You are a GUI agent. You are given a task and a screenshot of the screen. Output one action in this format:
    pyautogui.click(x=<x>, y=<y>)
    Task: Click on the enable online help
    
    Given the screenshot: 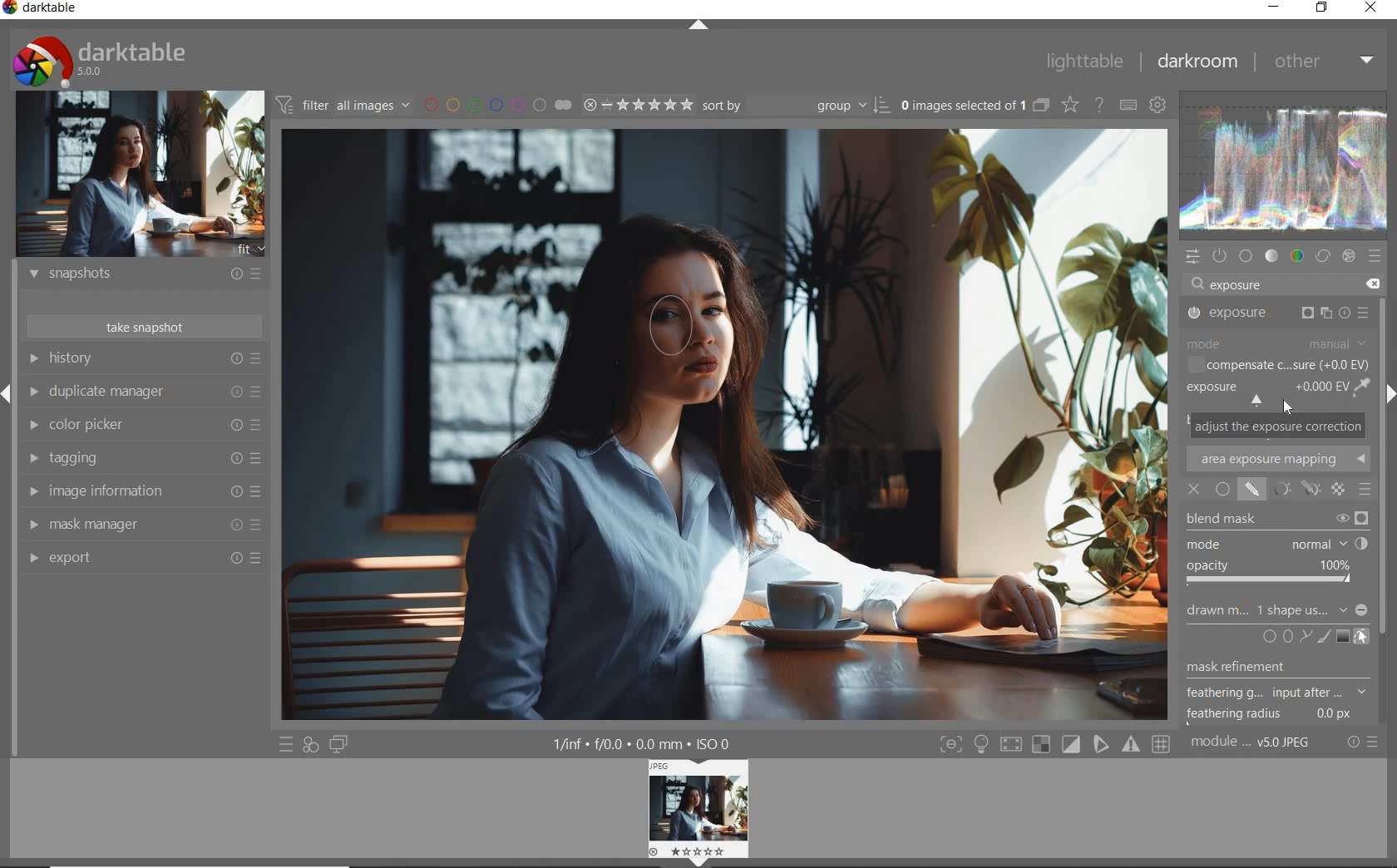 What is the action you would take?
    pyautogui.click(x=1100, y=105)
    